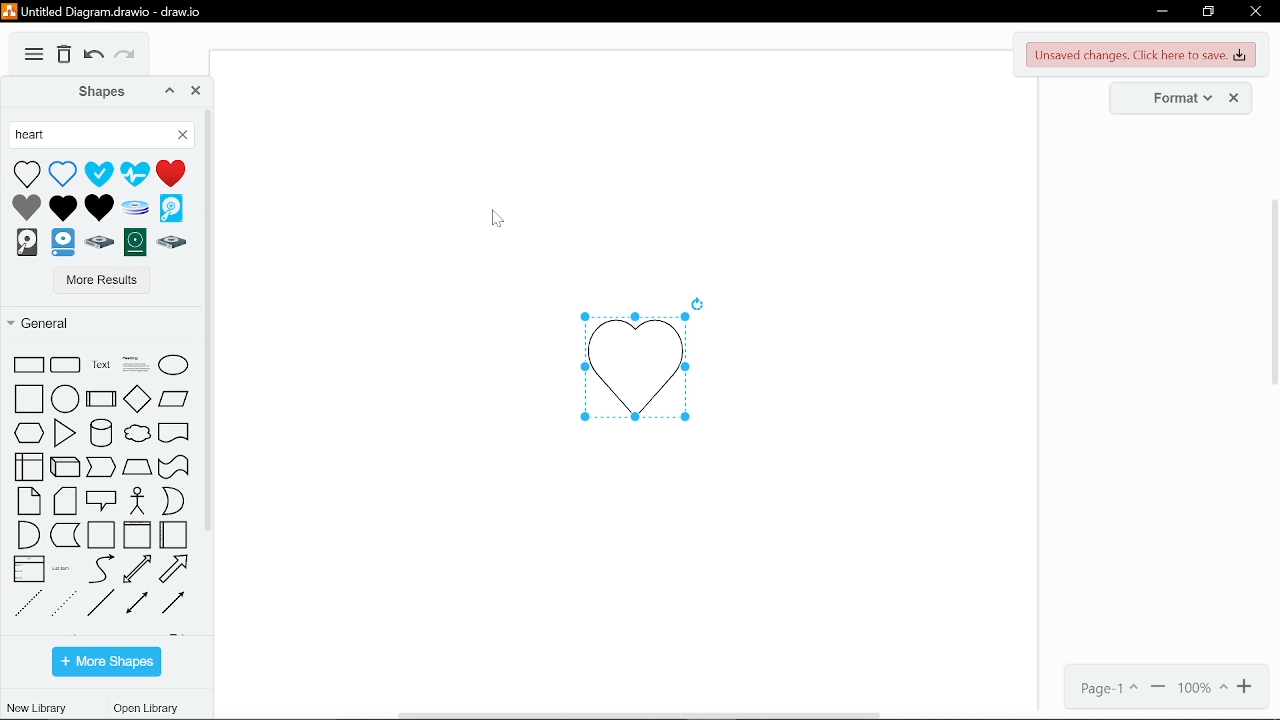 Image resolution: width=1280 pixels, height=720 pixels. Describe the element at coordinates (67, 433) in the screenshot. I see `triangle` at that location.